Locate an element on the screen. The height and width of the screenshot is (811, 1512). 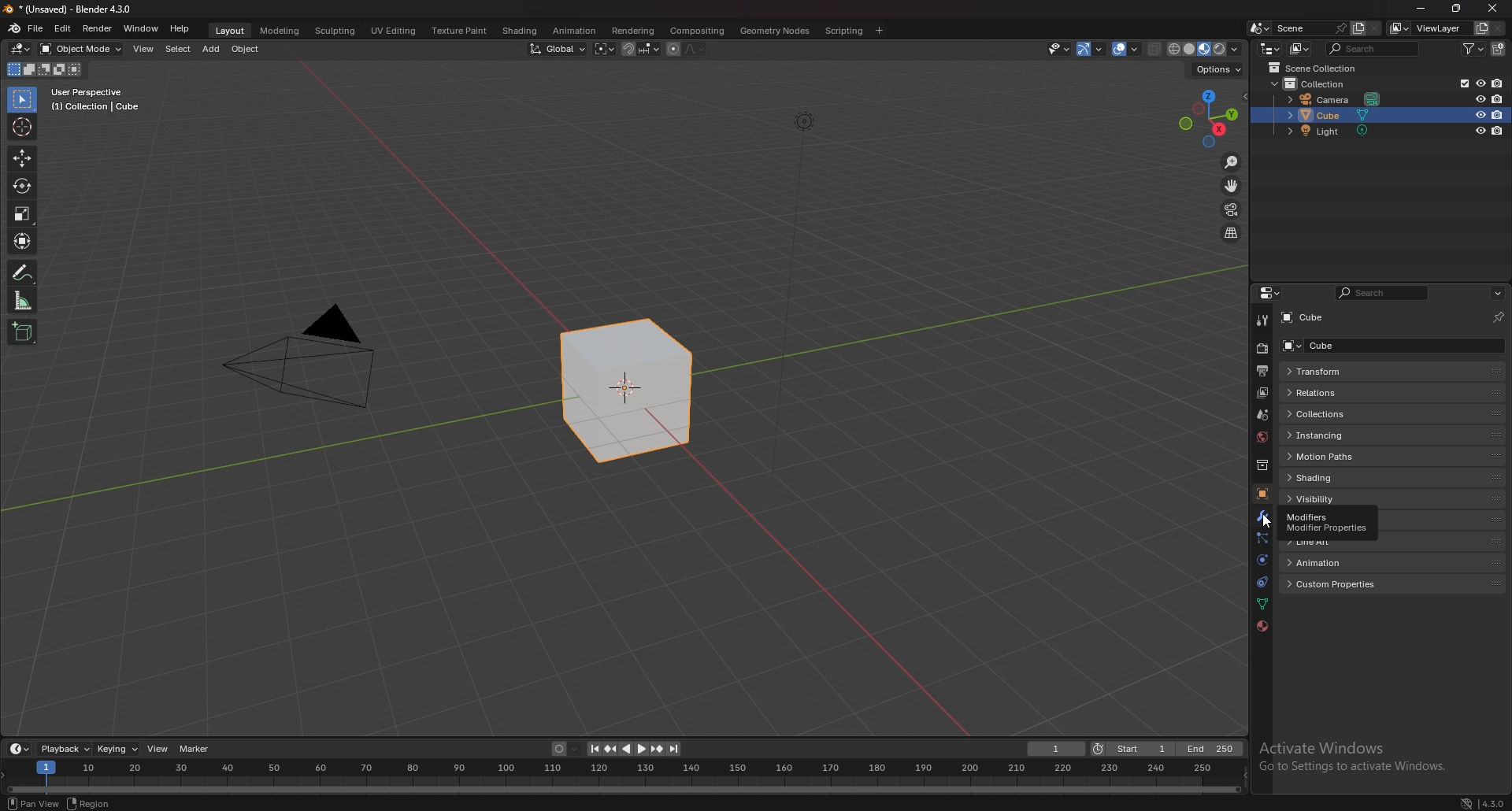
camera is located at coordinates (1336, 99).